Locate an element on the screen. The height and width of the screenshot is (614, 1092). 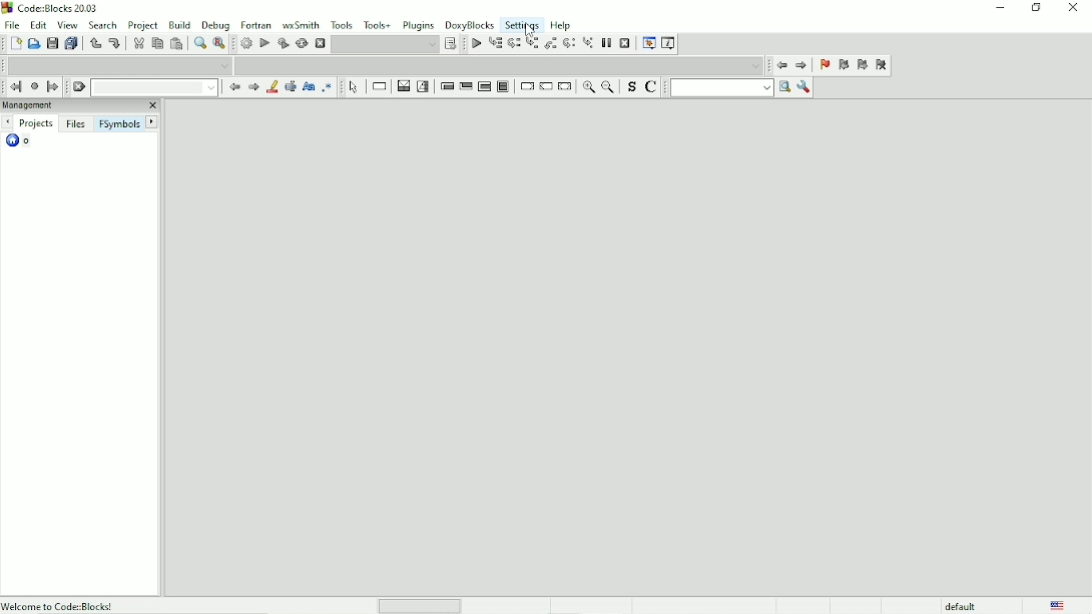
Prev bookmark is located at coordinates (844, 66).